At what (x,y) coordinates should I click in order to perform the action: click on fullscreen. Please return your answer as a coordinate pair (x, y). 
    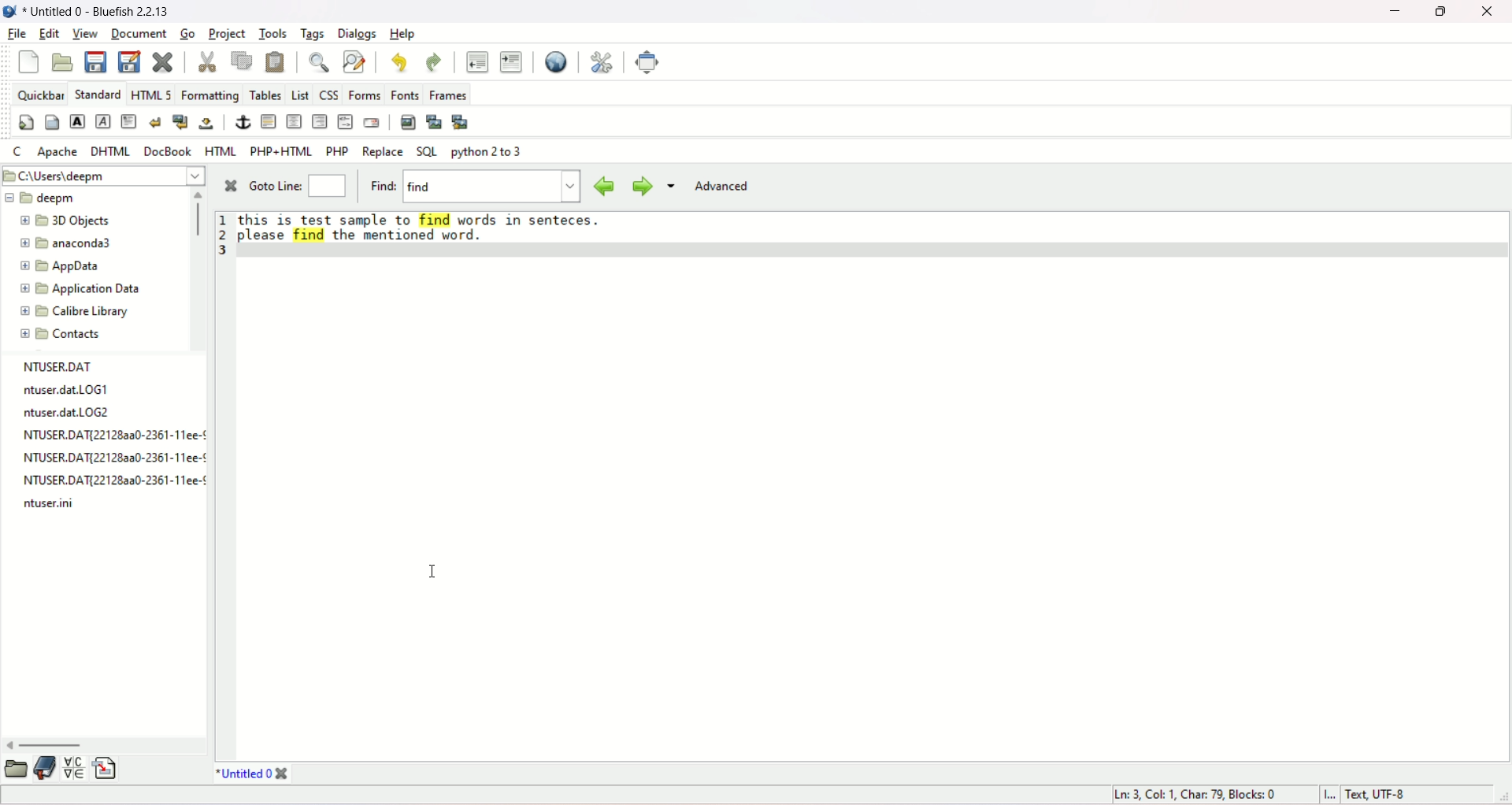
    Looking at the image, I should click on (650, 61).